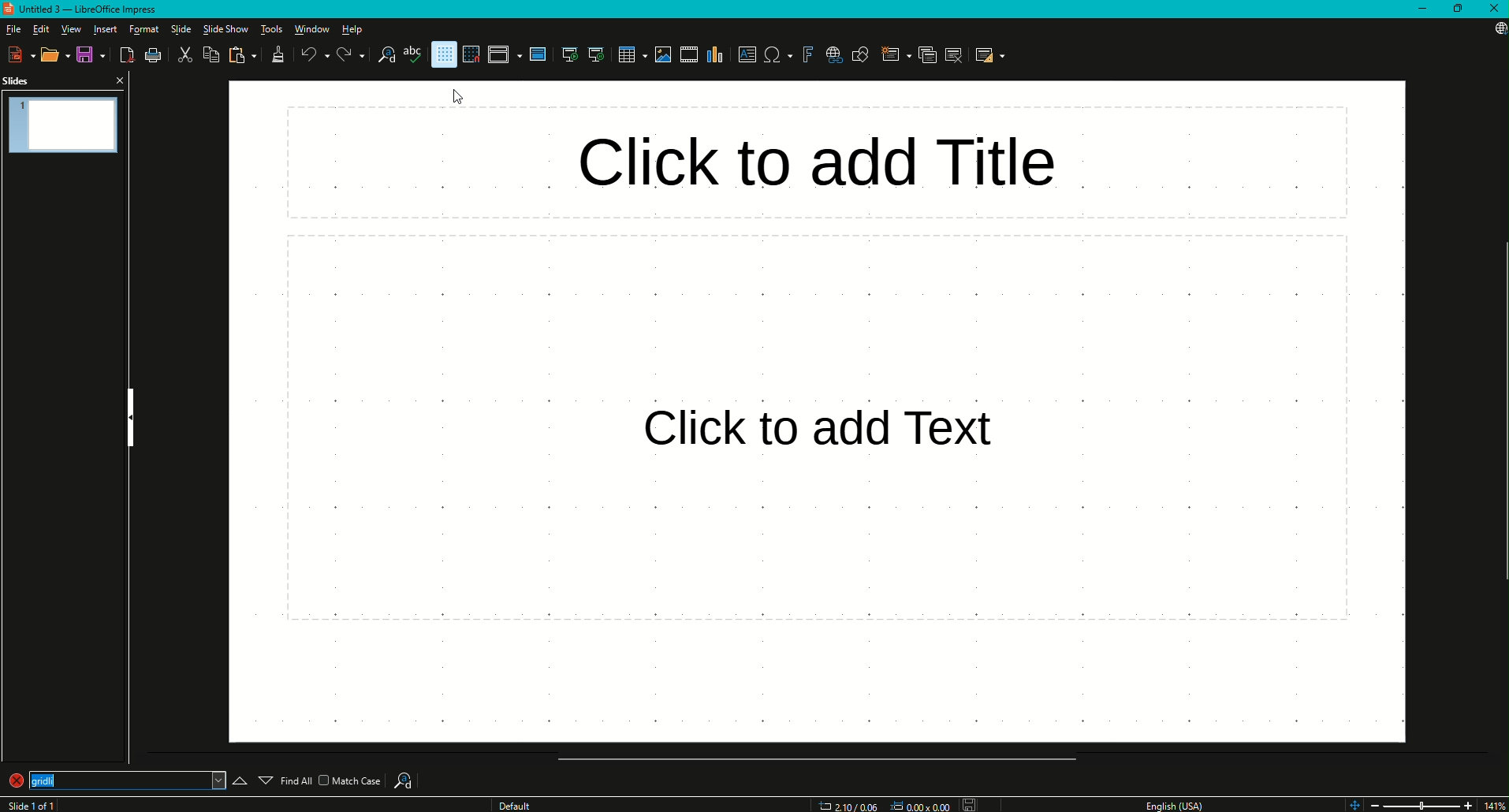 Image resolution: width=1509 pixels, height=812 pixels. Describe the element at coordinates (105, 28) in the screenshot. I see `Insert` at that location.